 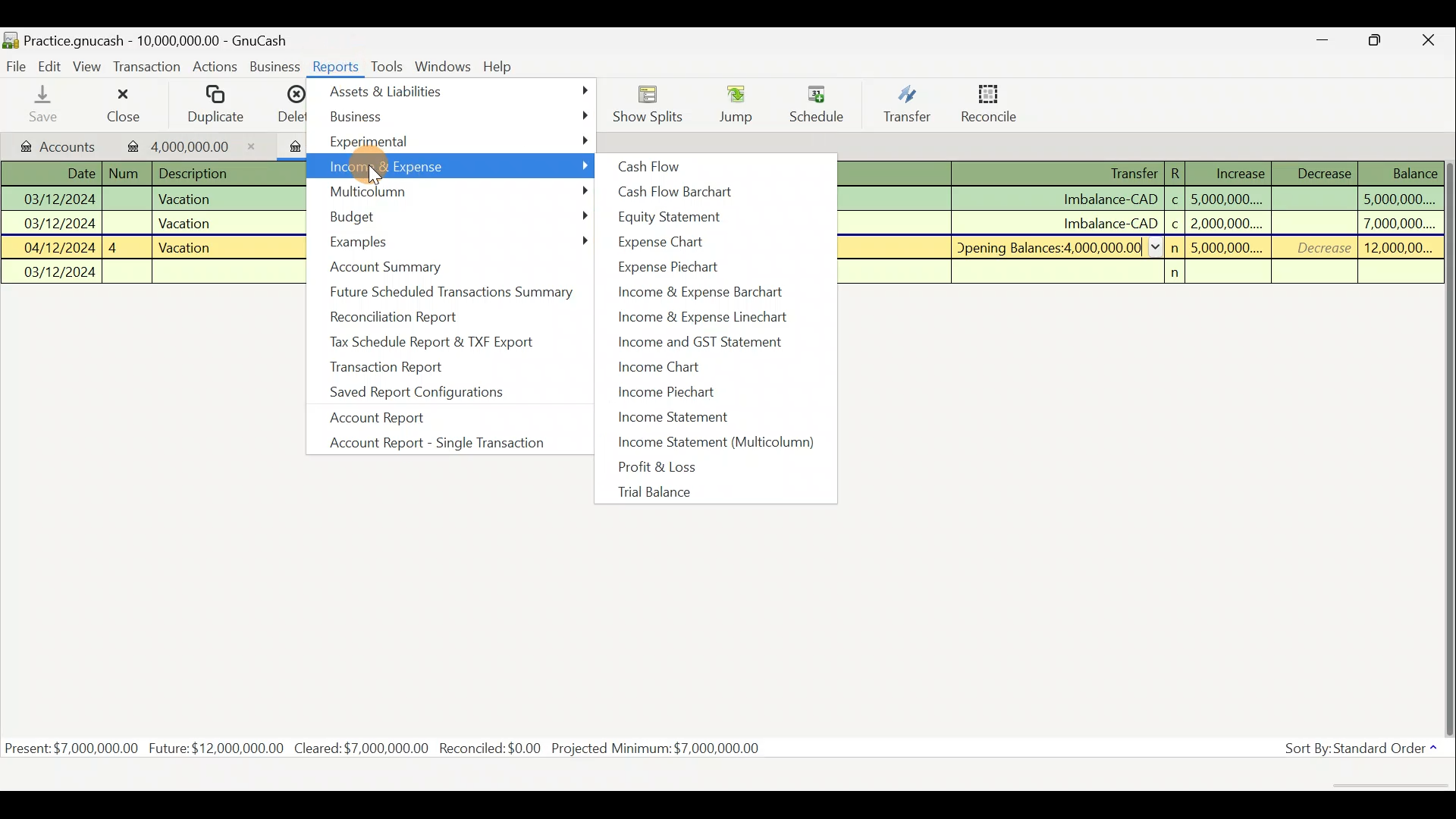 What do you see at coordinates (722, 443) in the screenshot?
I see `Income statement (multicolumn)` at bounding box center [722, 443].